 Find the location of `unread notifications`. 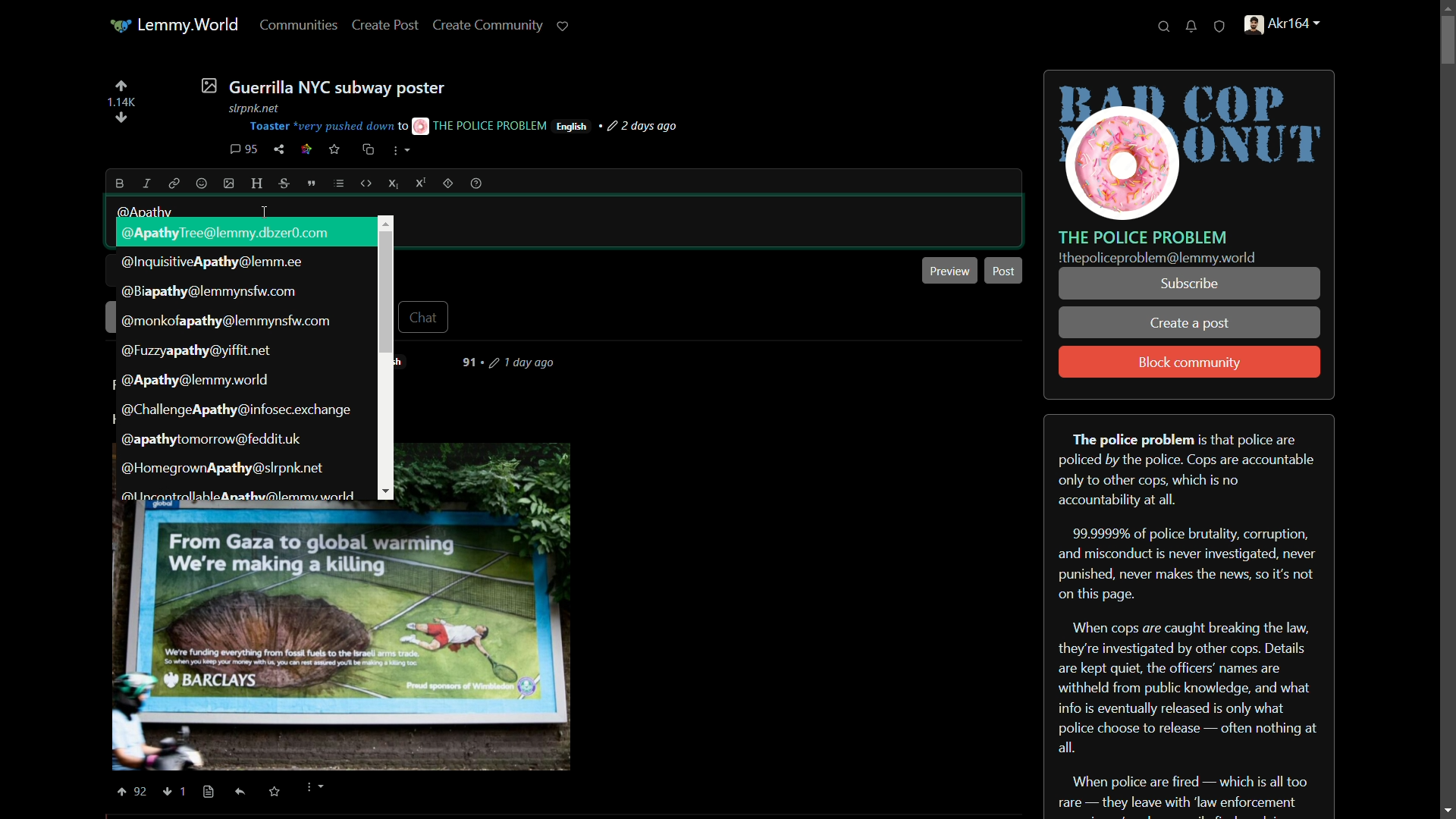

unread notifications is located at coordinates (1193, 27).